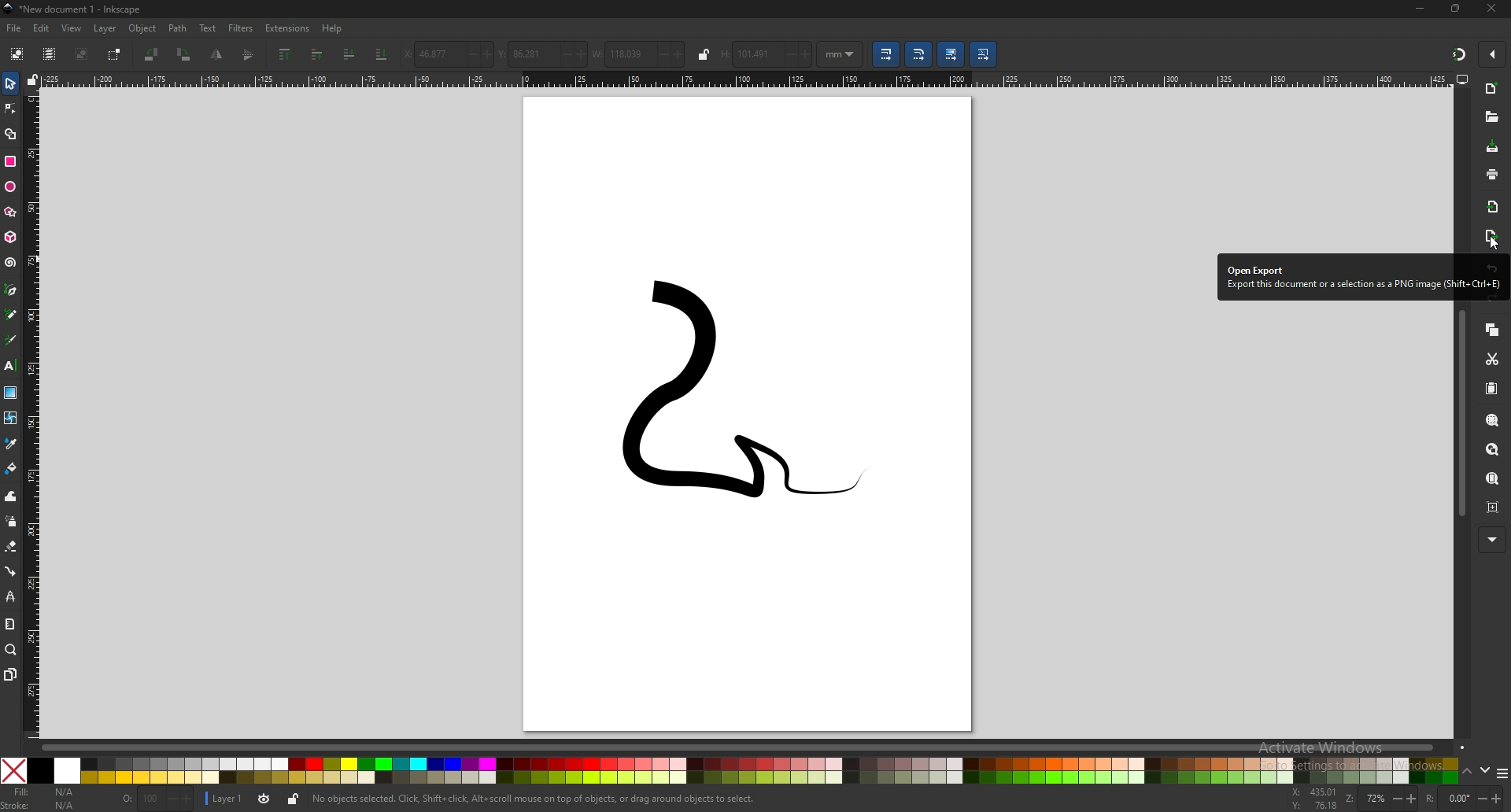 This screenshot has height=812, width=1511. Describe the element at coordinates (542, 54) in the screenshot. I see `y coordinates` at that location.